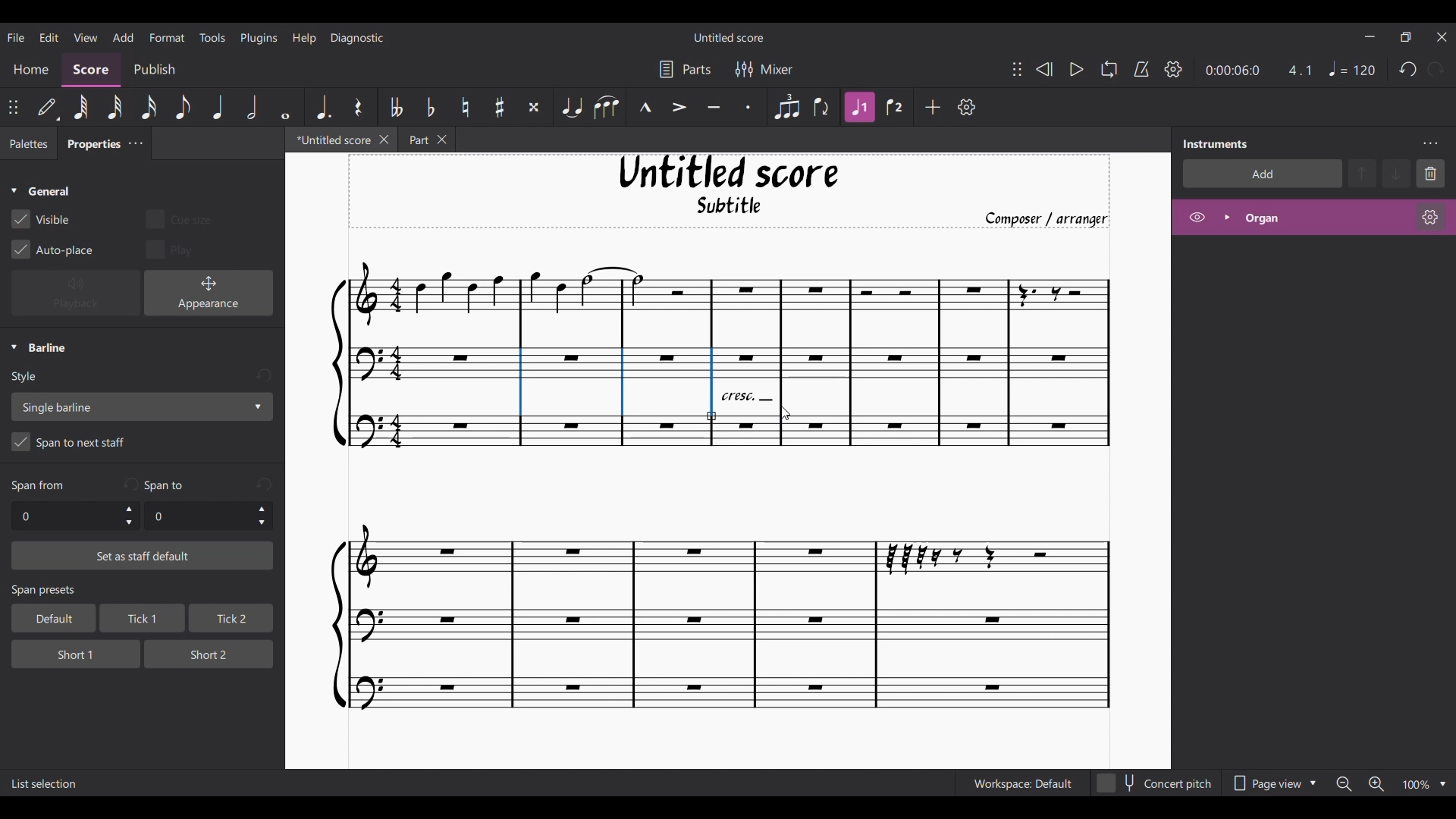 This screenshot has width=1456, height=819. I want to click on short 2, so click(202, 653).